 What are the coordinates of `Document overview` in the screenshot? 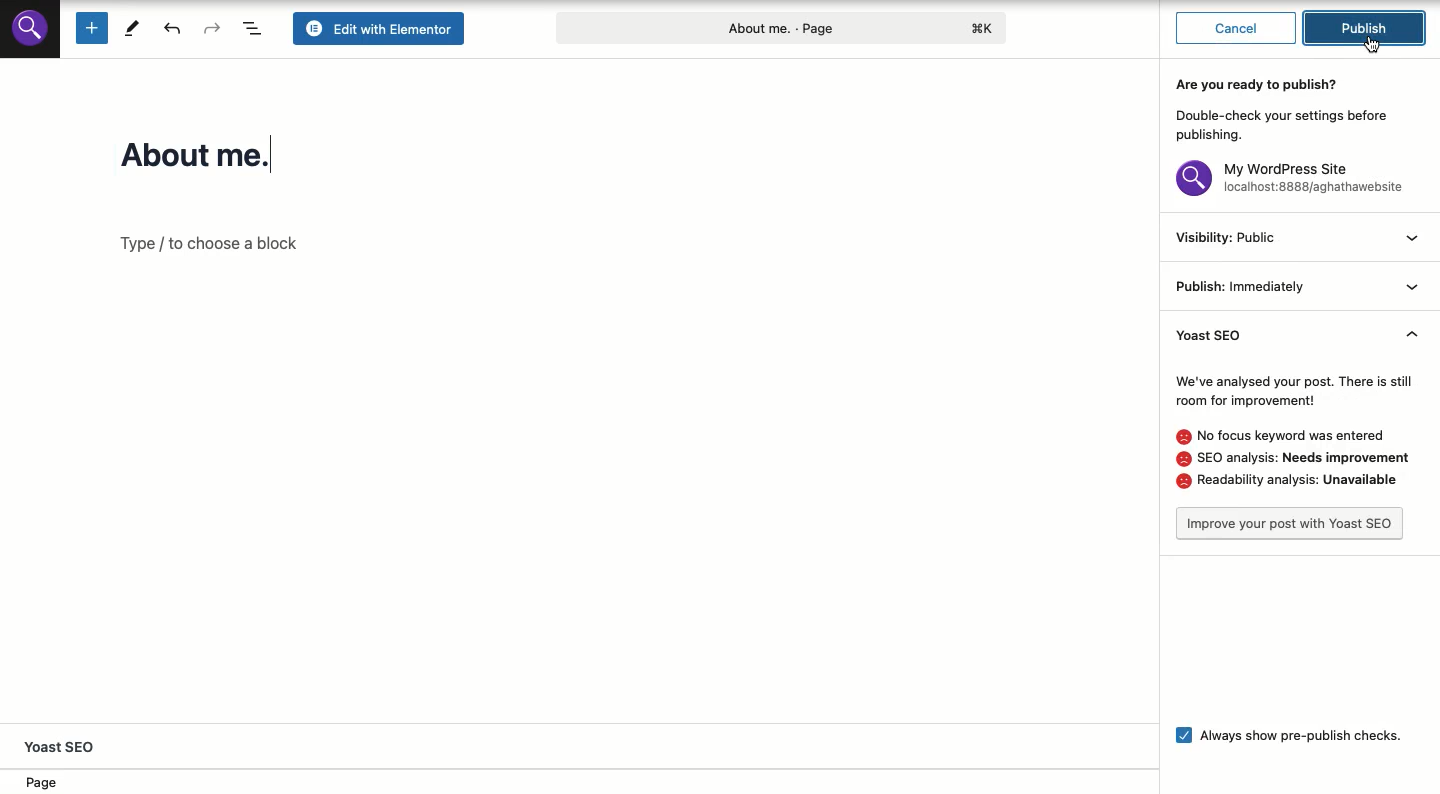 It's located at (254, 28).